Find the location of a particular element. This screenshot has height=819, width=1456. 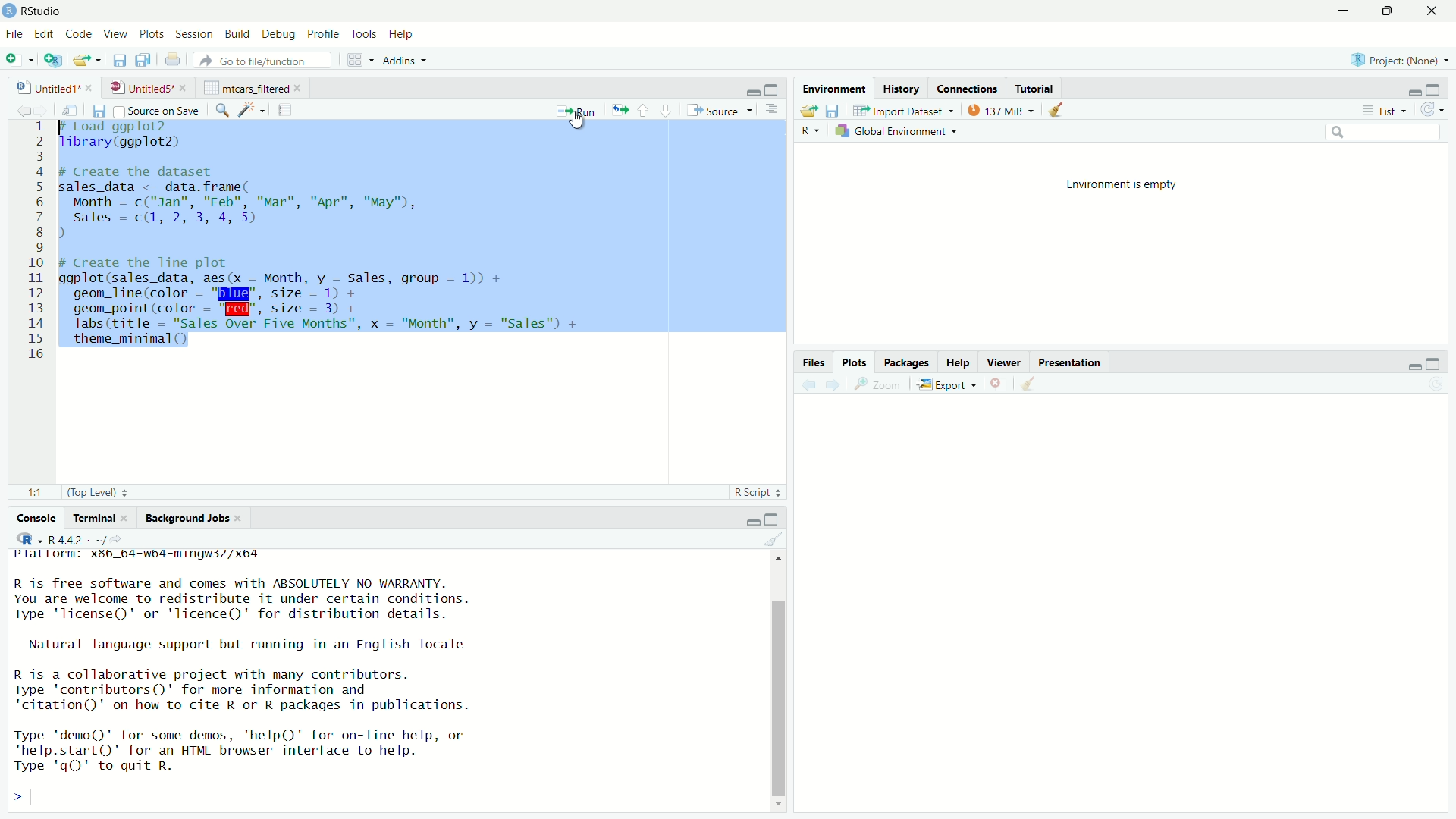

debug is located at coordinates (279, 36).